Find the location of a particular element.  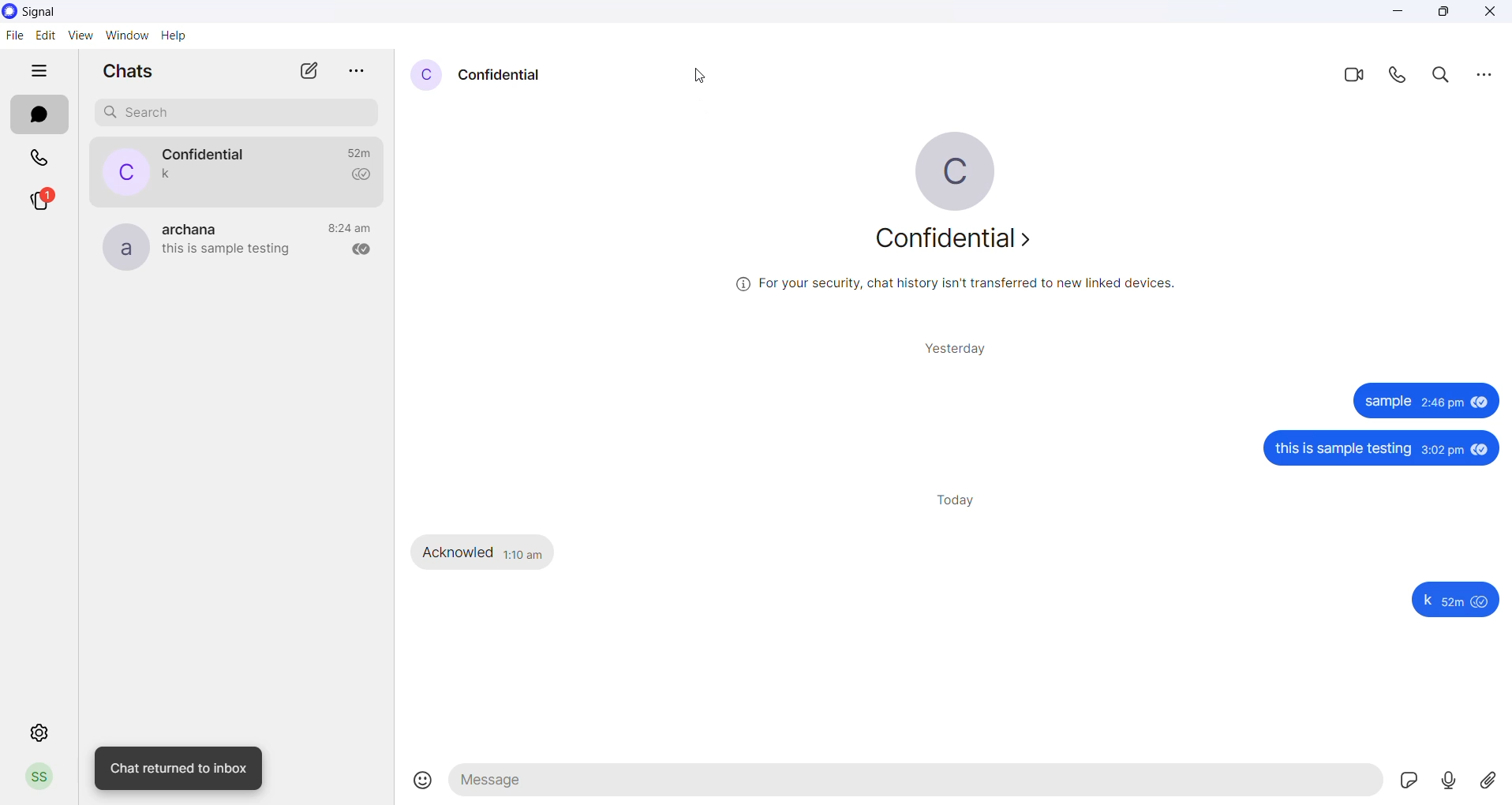

emojis is located at coordinates (417, 781).